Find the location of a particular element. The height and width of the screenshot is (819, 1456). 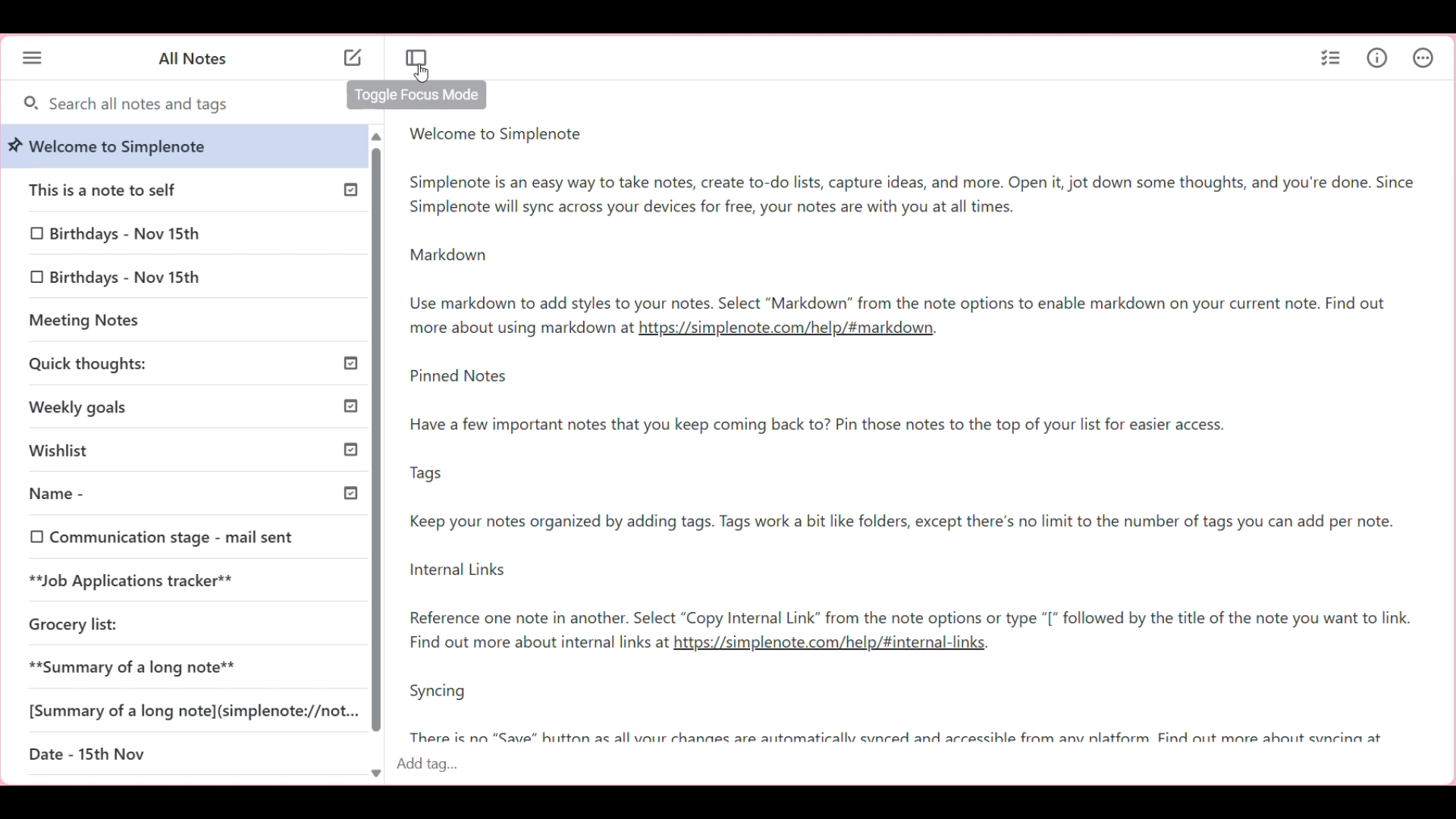

**Summary of a long note** is located at coordinates (145, 667).